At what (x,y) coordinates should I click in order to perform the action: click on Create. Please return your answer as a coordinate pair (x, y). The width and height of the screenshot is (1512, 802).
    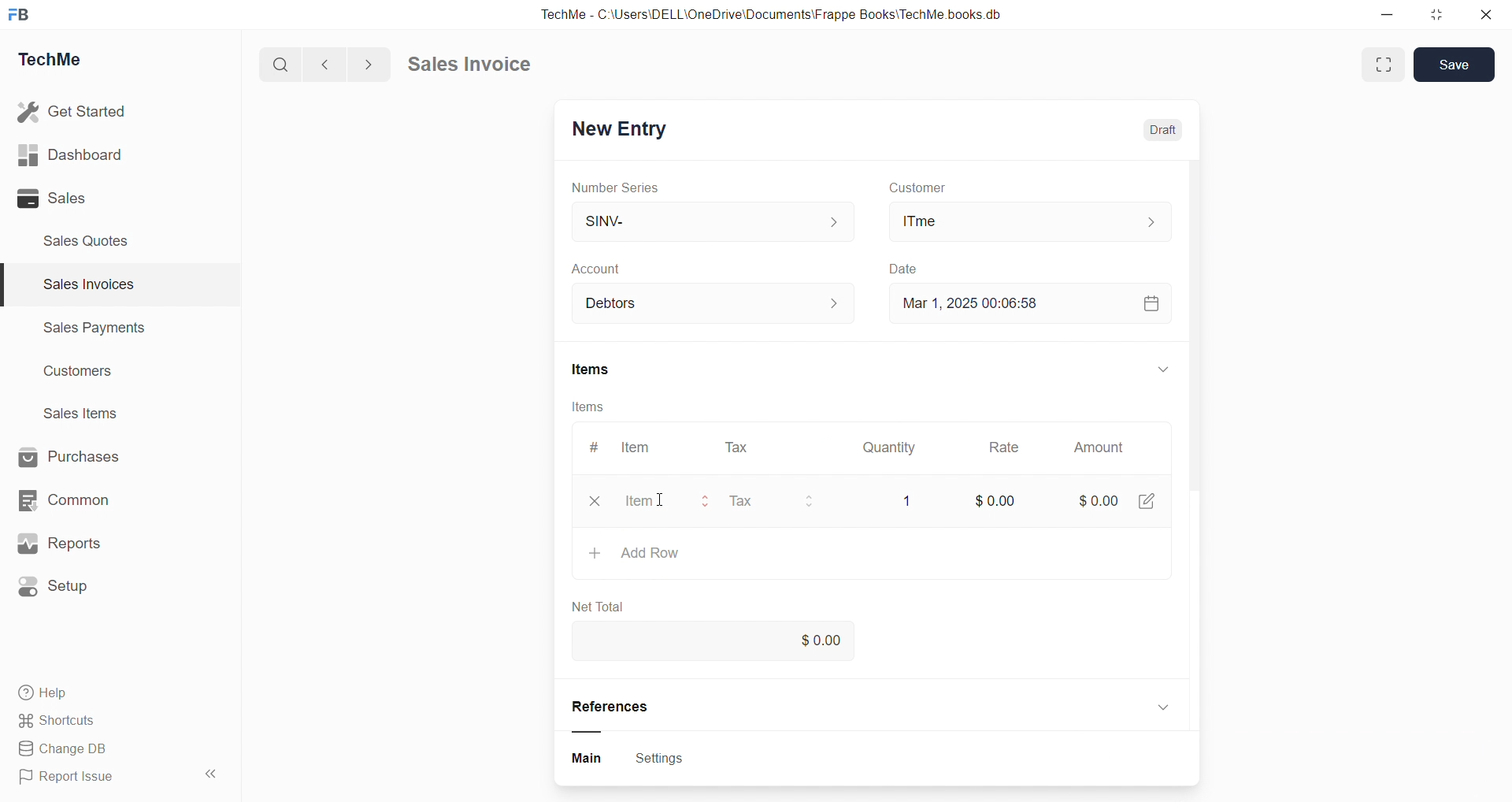
    Looking at the image, I should click on (899, 266).